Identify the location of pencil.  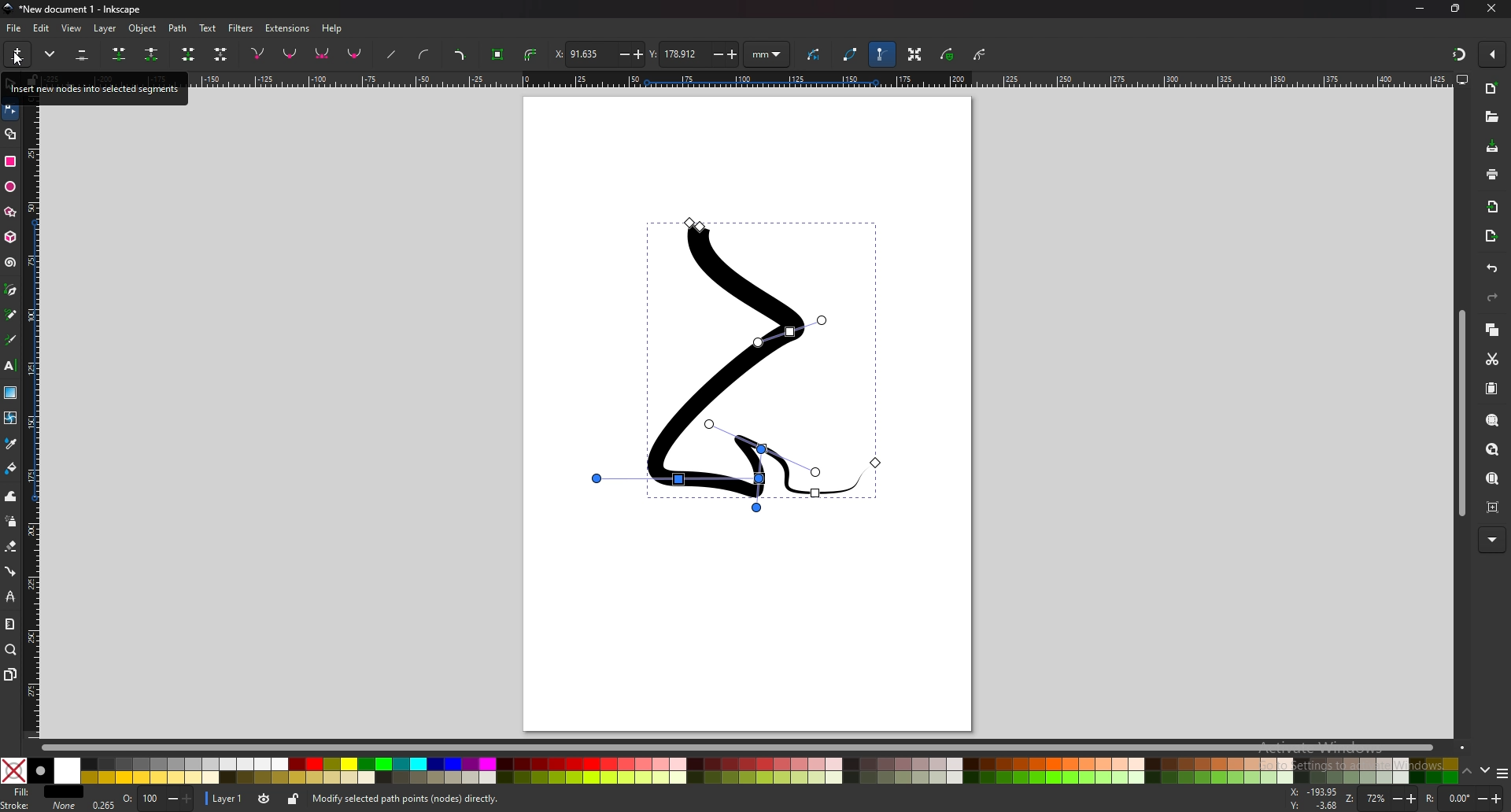
(11, 314).